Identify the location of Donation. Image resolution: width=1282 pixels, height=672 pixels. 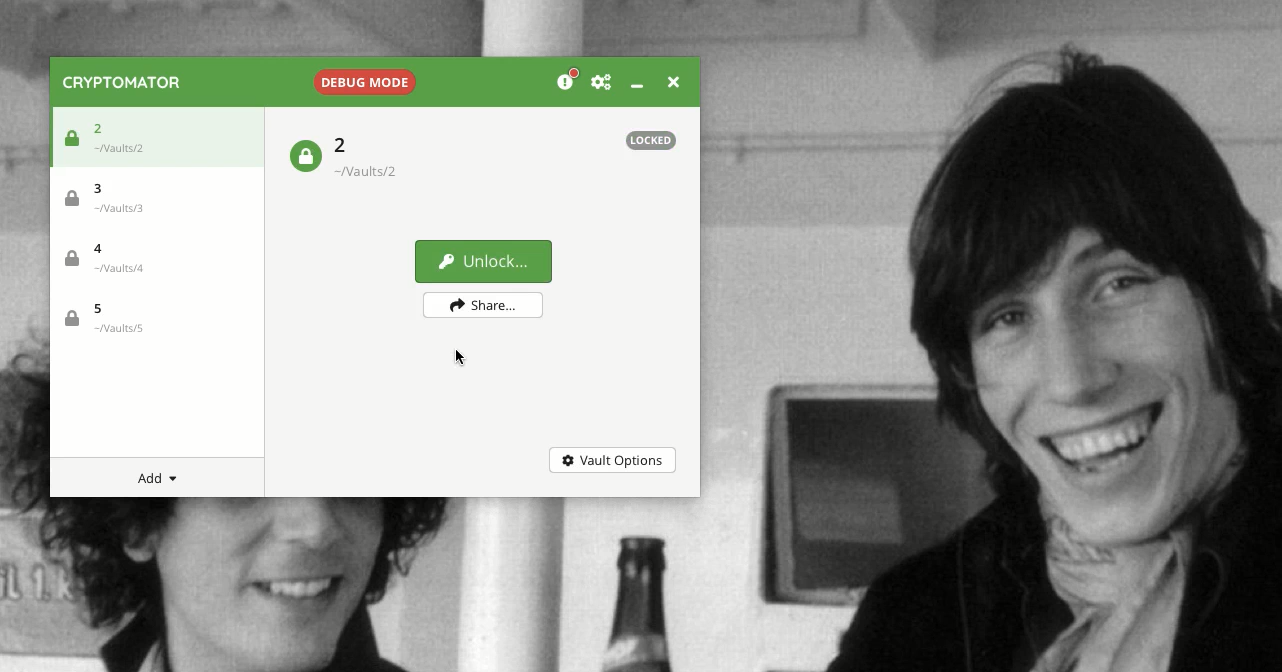
(568, 81).